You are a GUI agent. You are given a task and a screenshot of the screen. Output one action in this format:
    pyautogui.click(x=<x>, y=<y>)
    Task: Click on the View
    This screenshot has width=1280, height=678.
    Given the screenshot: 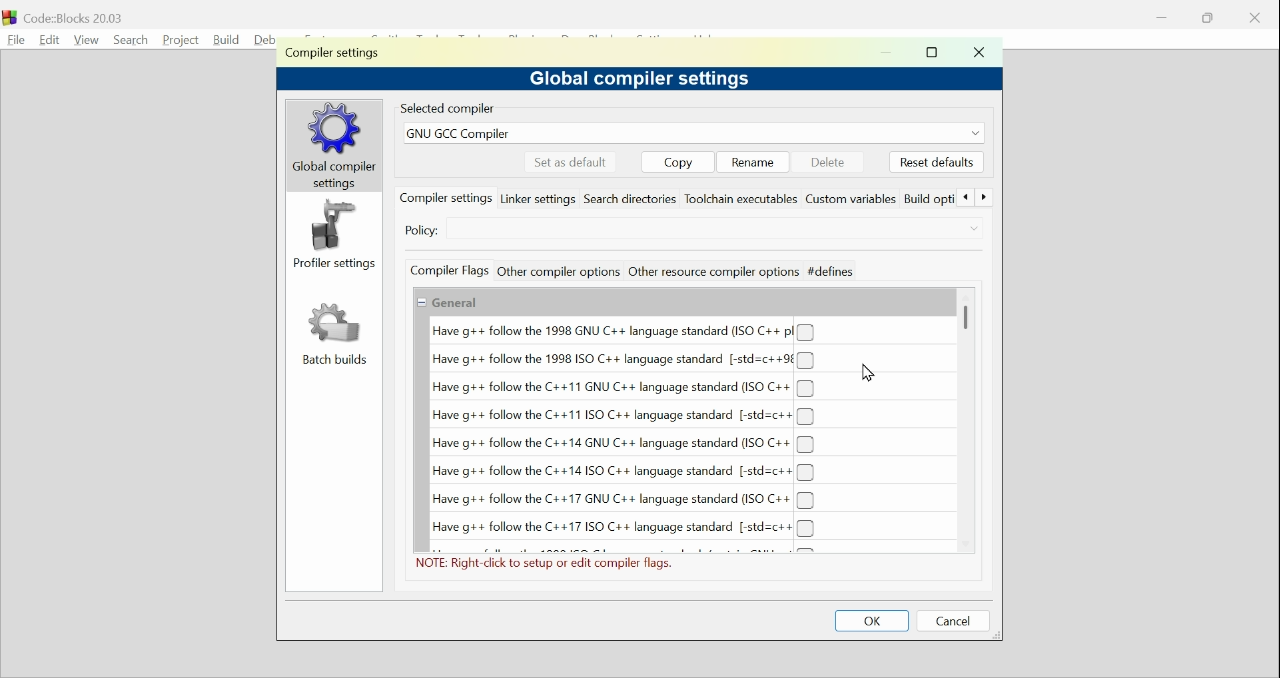 What is the action you would take?
    pyautogui.click(x=86, y=39)
    